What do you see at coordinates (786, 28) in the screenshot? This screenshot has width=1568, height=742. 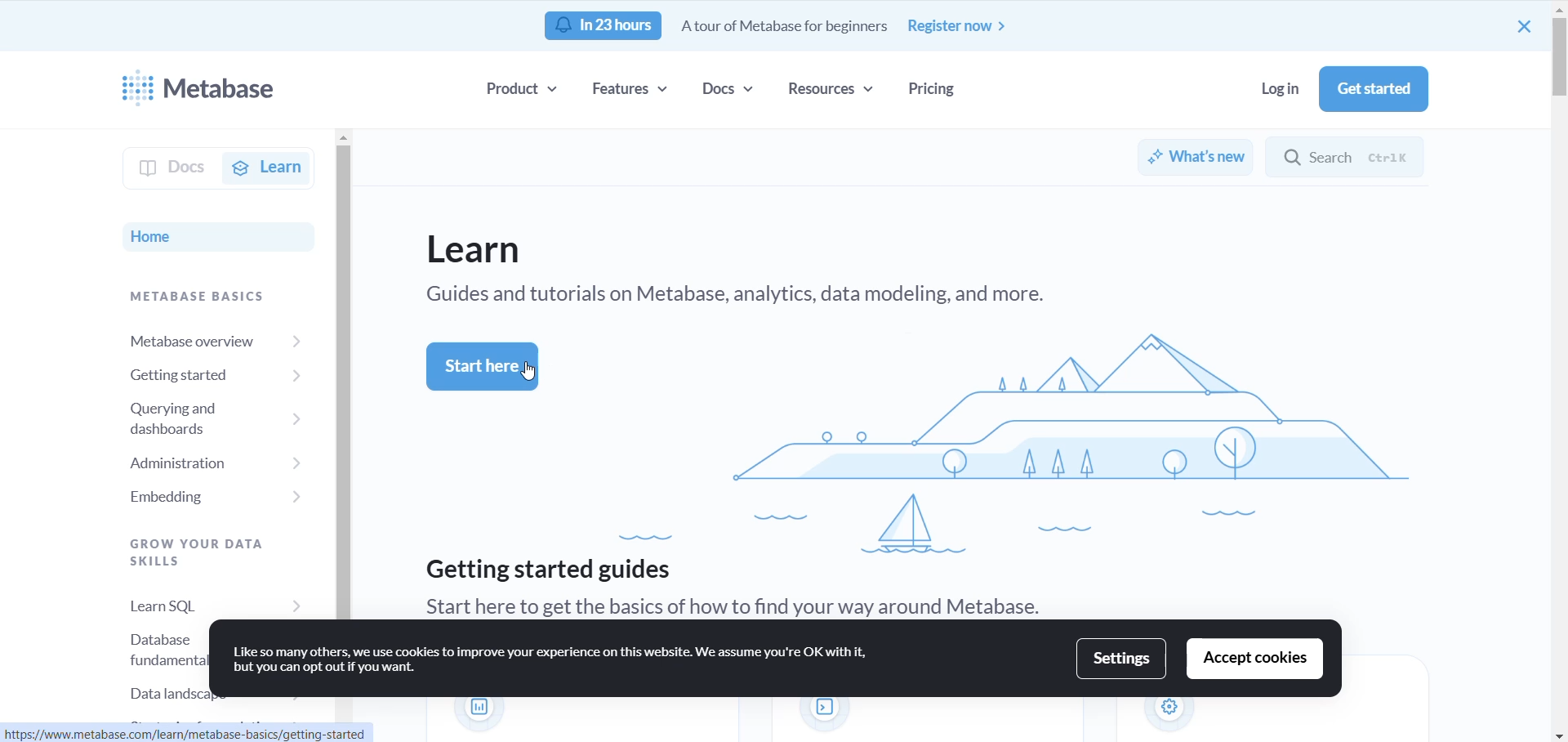 I see `text` at bounding box center [786, 28].